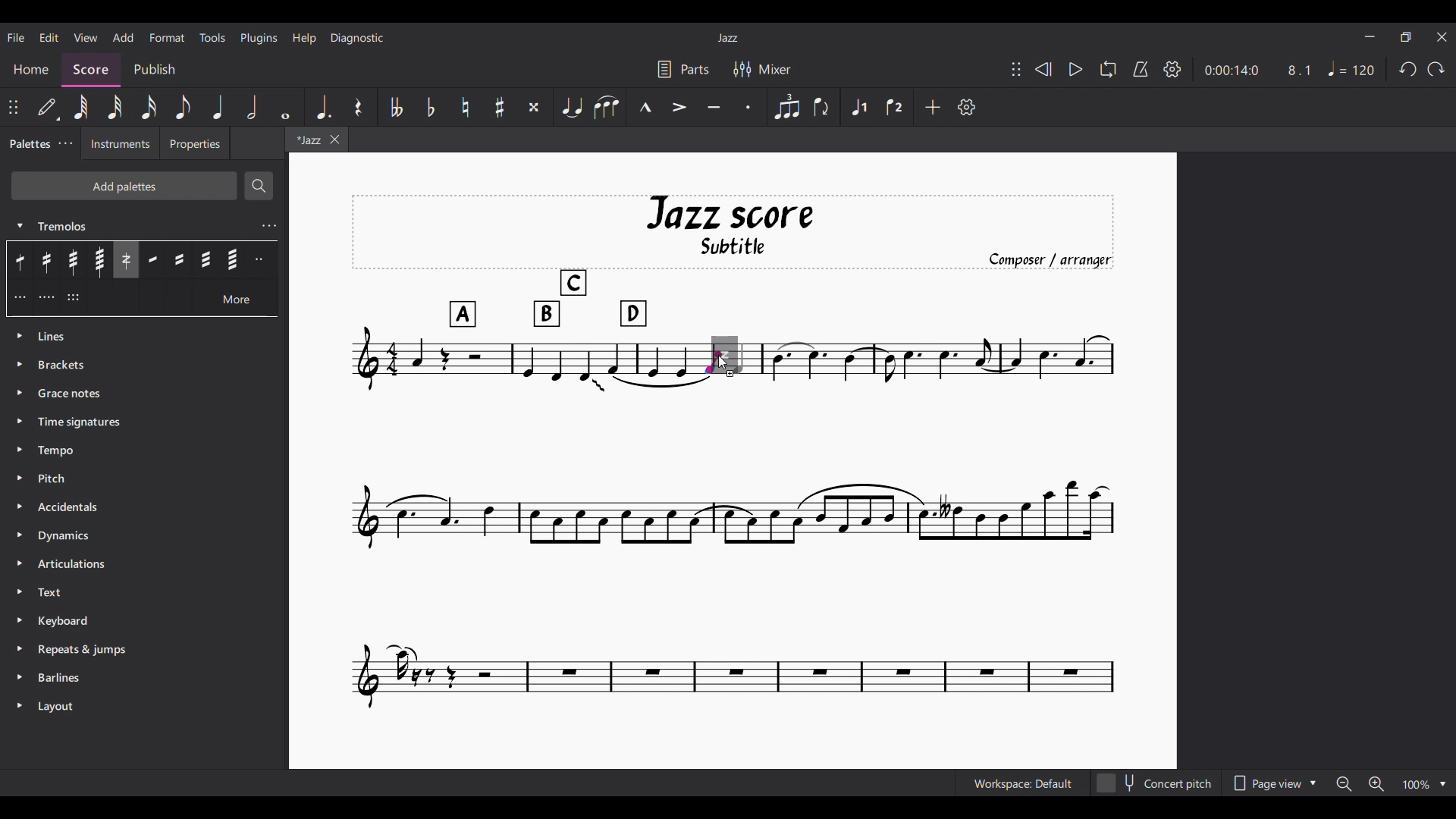 This screenshot has width=1456, height=819. Describe the element at coordinates (146, 394) in the screenshot. I see `Grace notes` at that location.